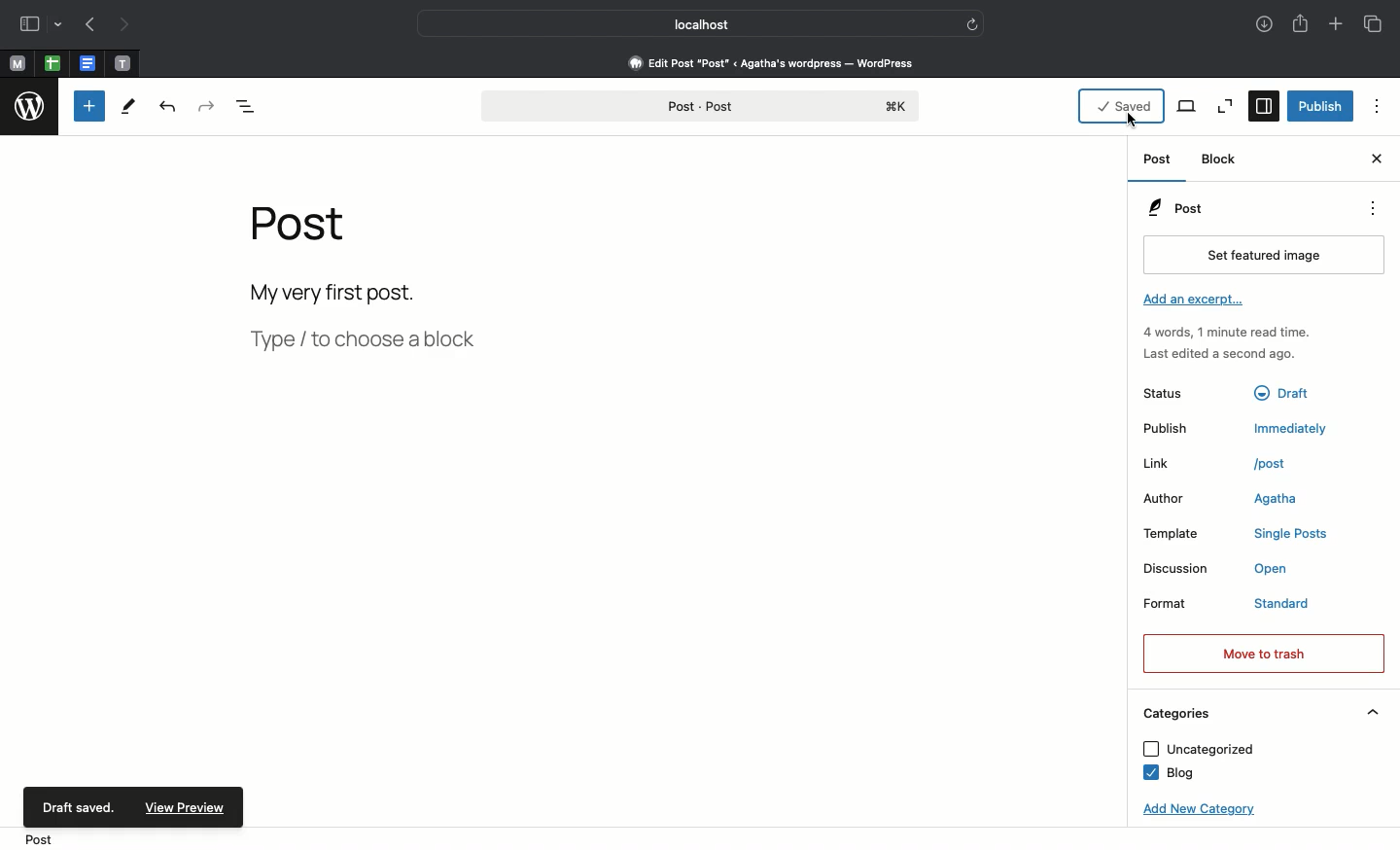 The image size is (1400, 850). I want to click on View, so click(1187, 106).